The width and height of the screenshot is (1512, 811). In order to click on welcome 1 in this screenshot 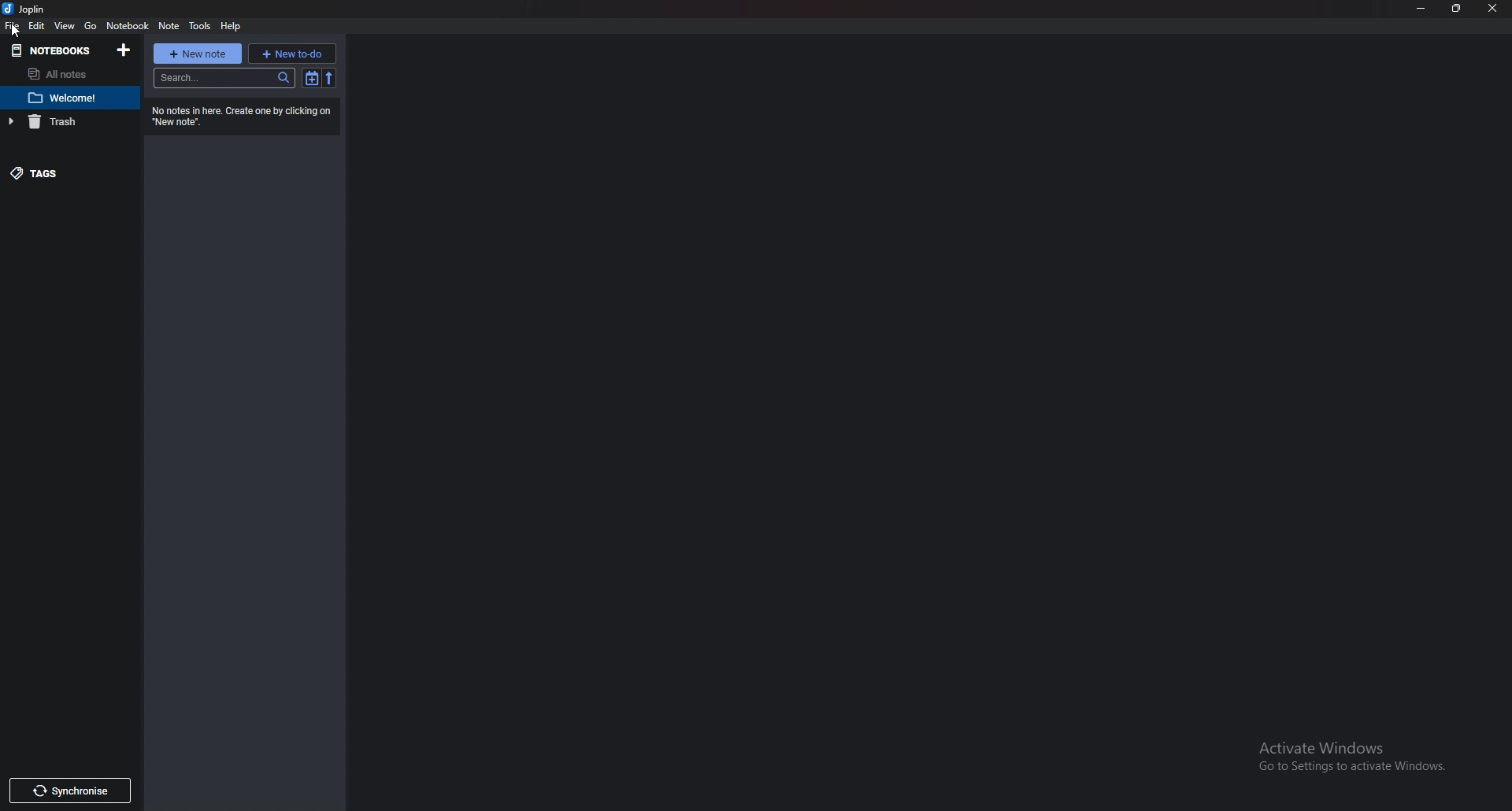, I will do `click(67, 98)`.